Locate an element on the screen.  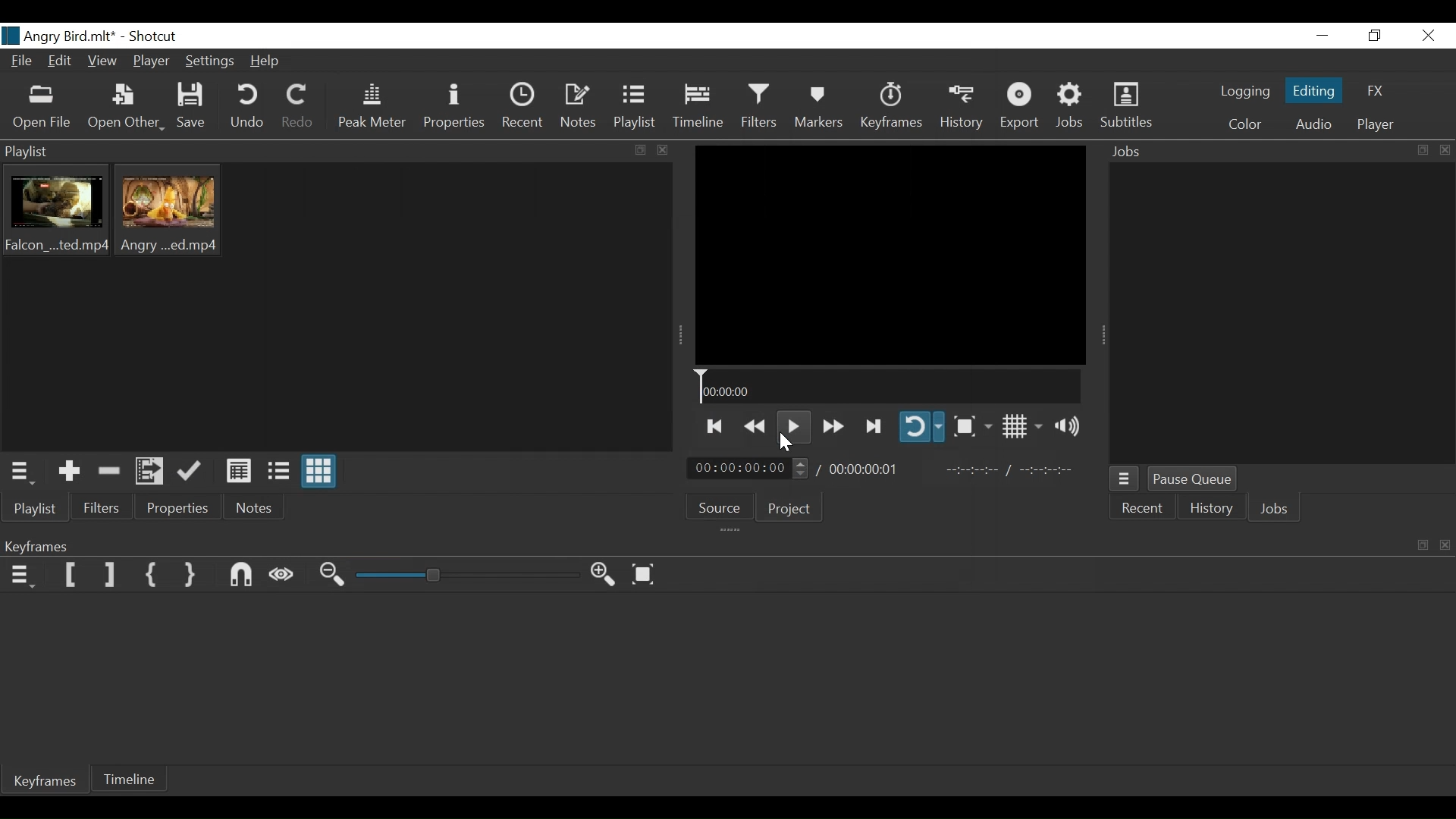
Open Other is located at coordinates (125, 108).